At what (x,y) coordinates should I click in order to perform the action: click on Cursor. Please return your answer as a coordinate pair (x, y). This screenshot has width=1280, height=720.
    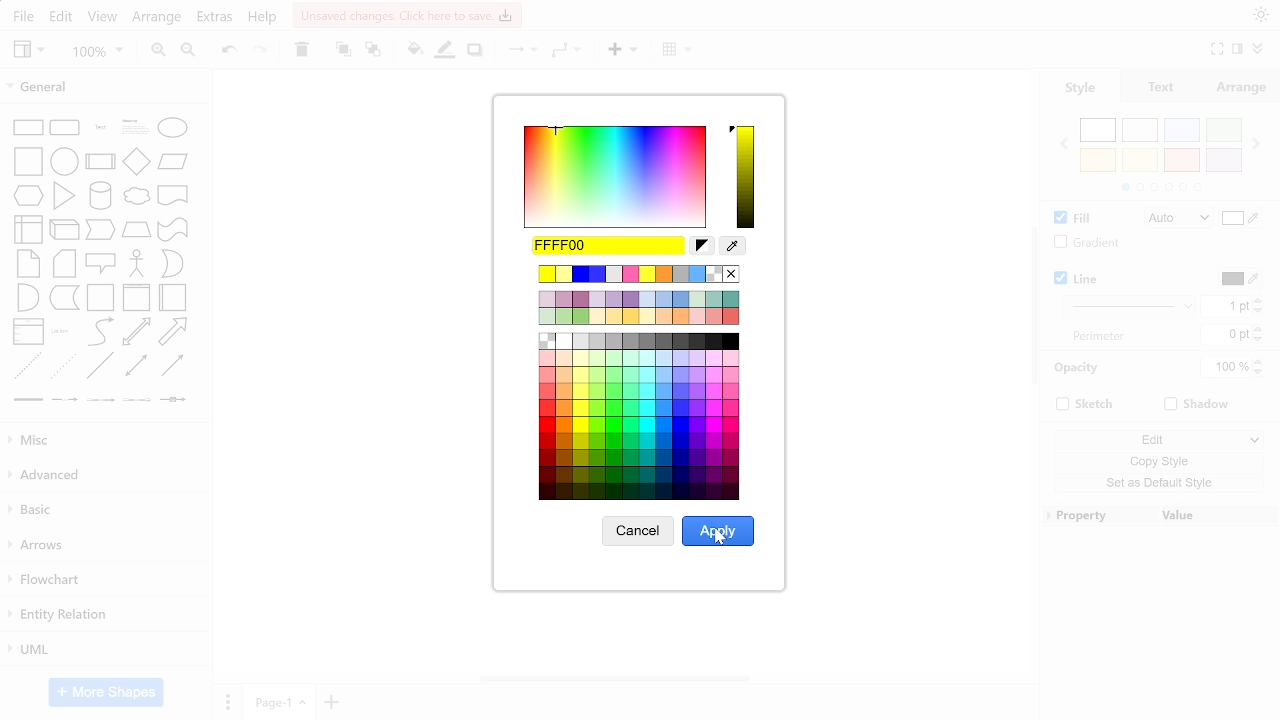
    Looking at the image, I should click on (722, 541).